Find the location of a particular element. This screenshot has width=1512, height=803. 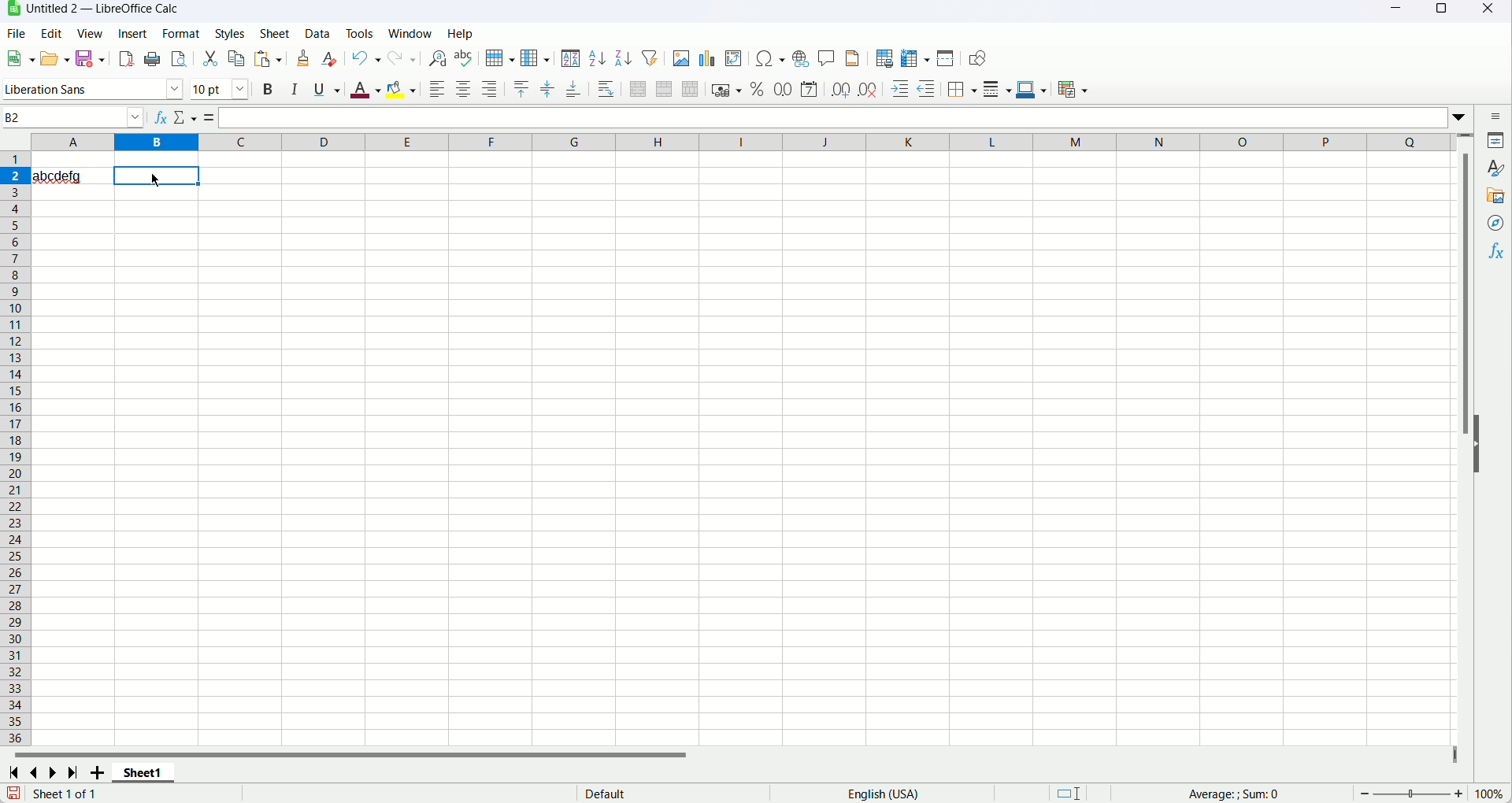

insert image is located at coordinates (681, 57).